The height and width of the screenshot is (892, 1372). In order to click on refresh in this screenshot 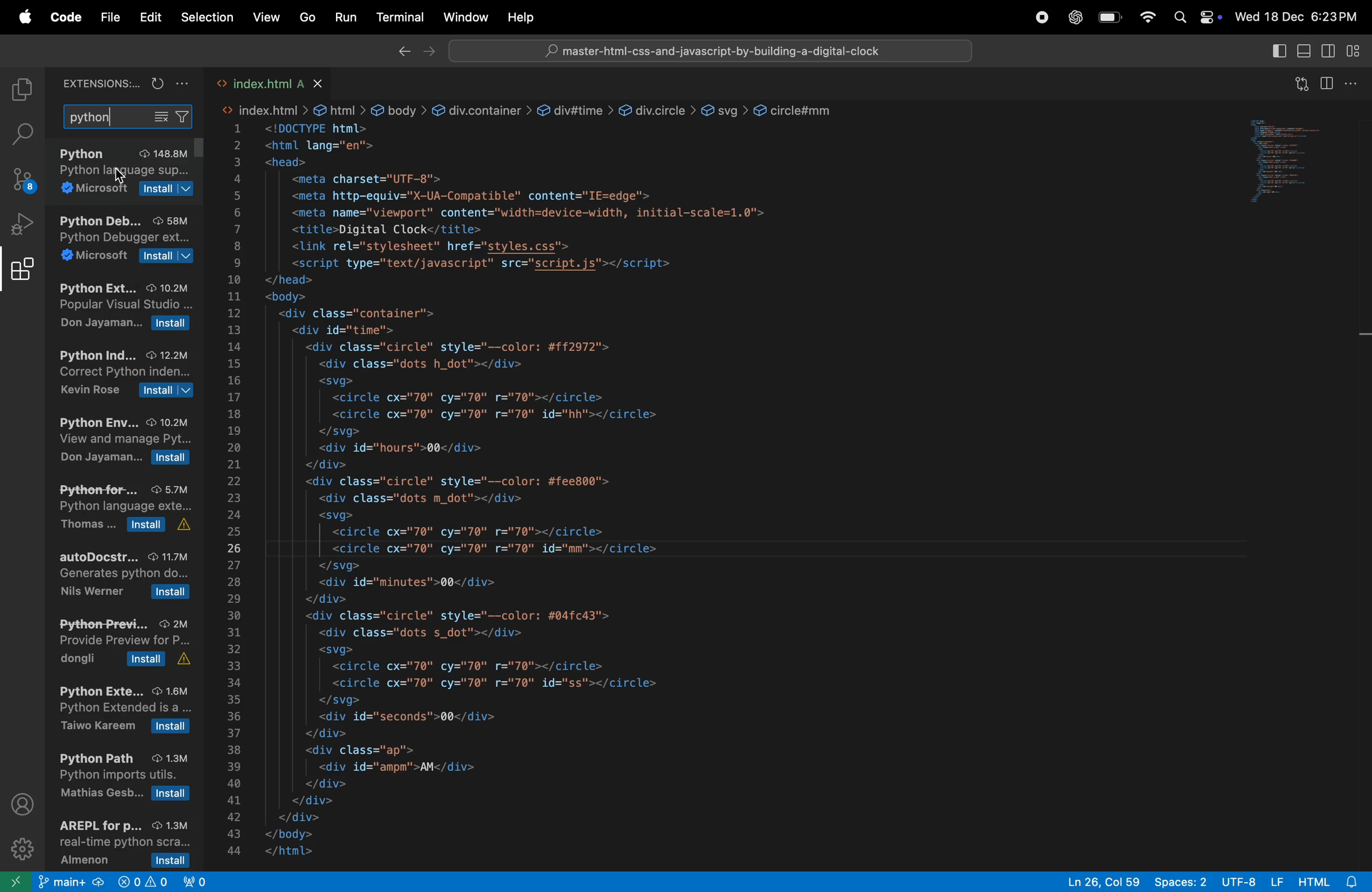, I will do `click(156, 82)`.